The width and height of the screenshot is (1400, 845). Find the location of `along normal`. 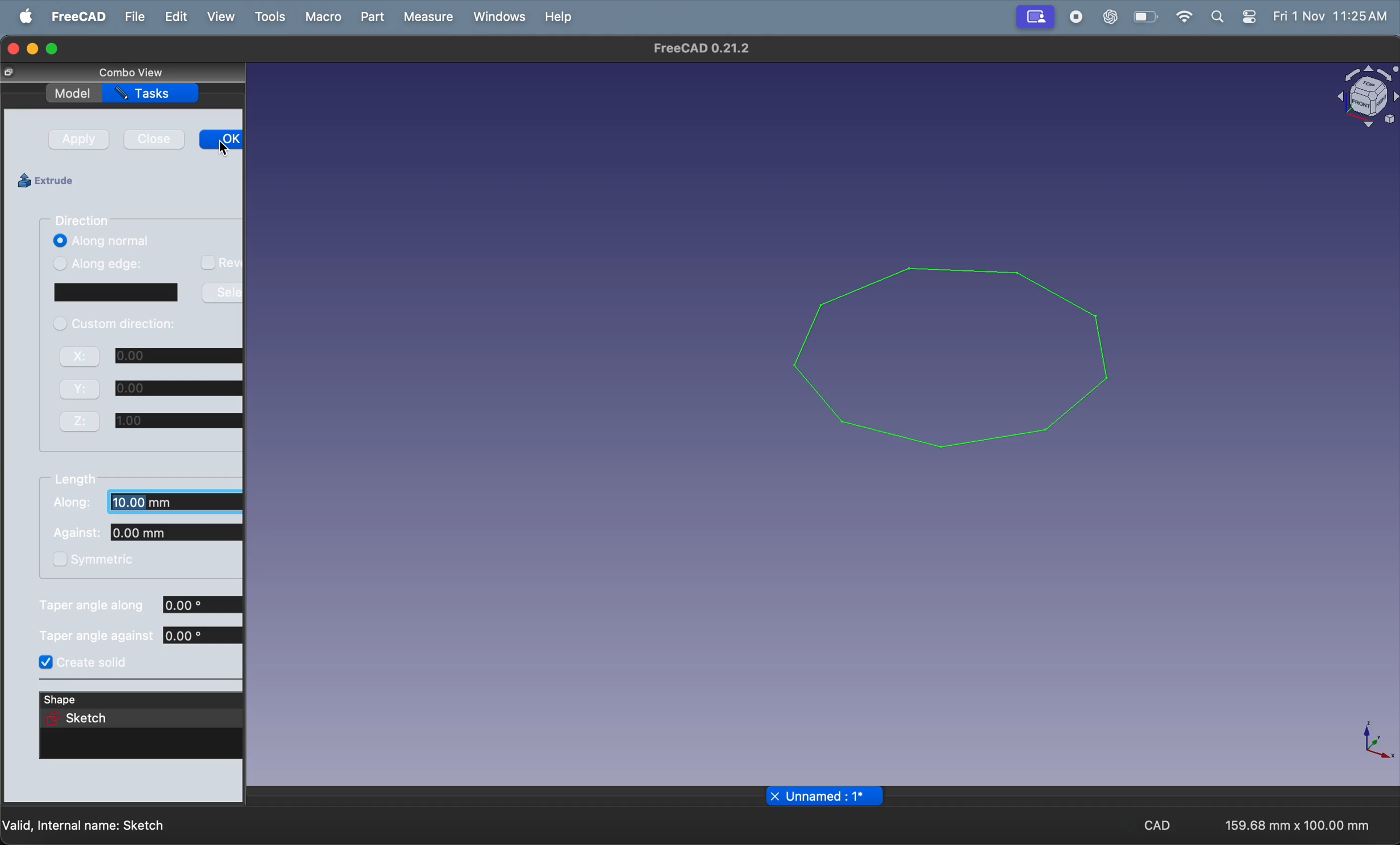

along normal is located at coordinates (100, 242).